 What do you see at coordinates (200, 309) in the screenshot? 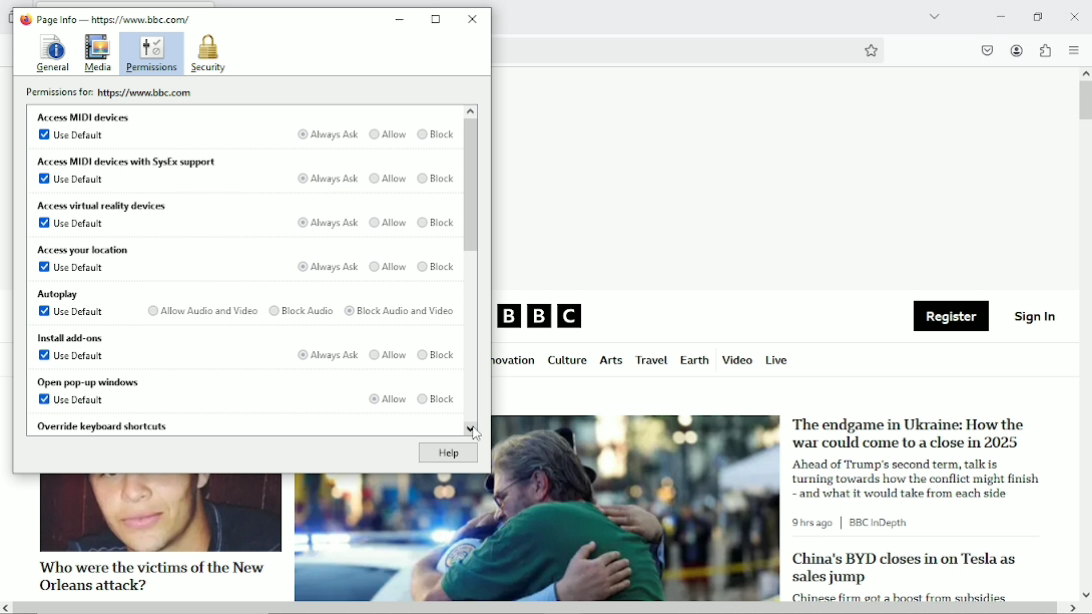
I see `Allow audio and video` at bounding box center [200, 309].